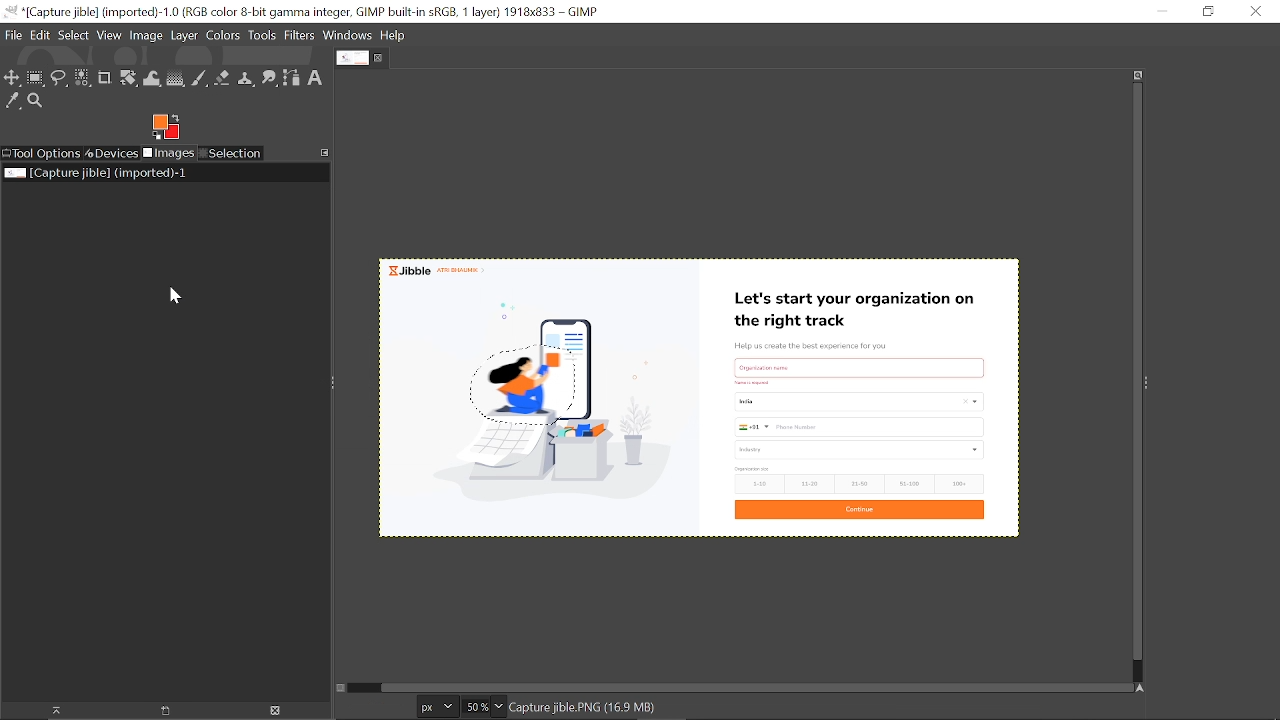 This screenshot has height=720, width=1280. What do you see at coordinates (166, 298) in the screenshot?
I see `Cursor here` at bounding box center [166, 298].